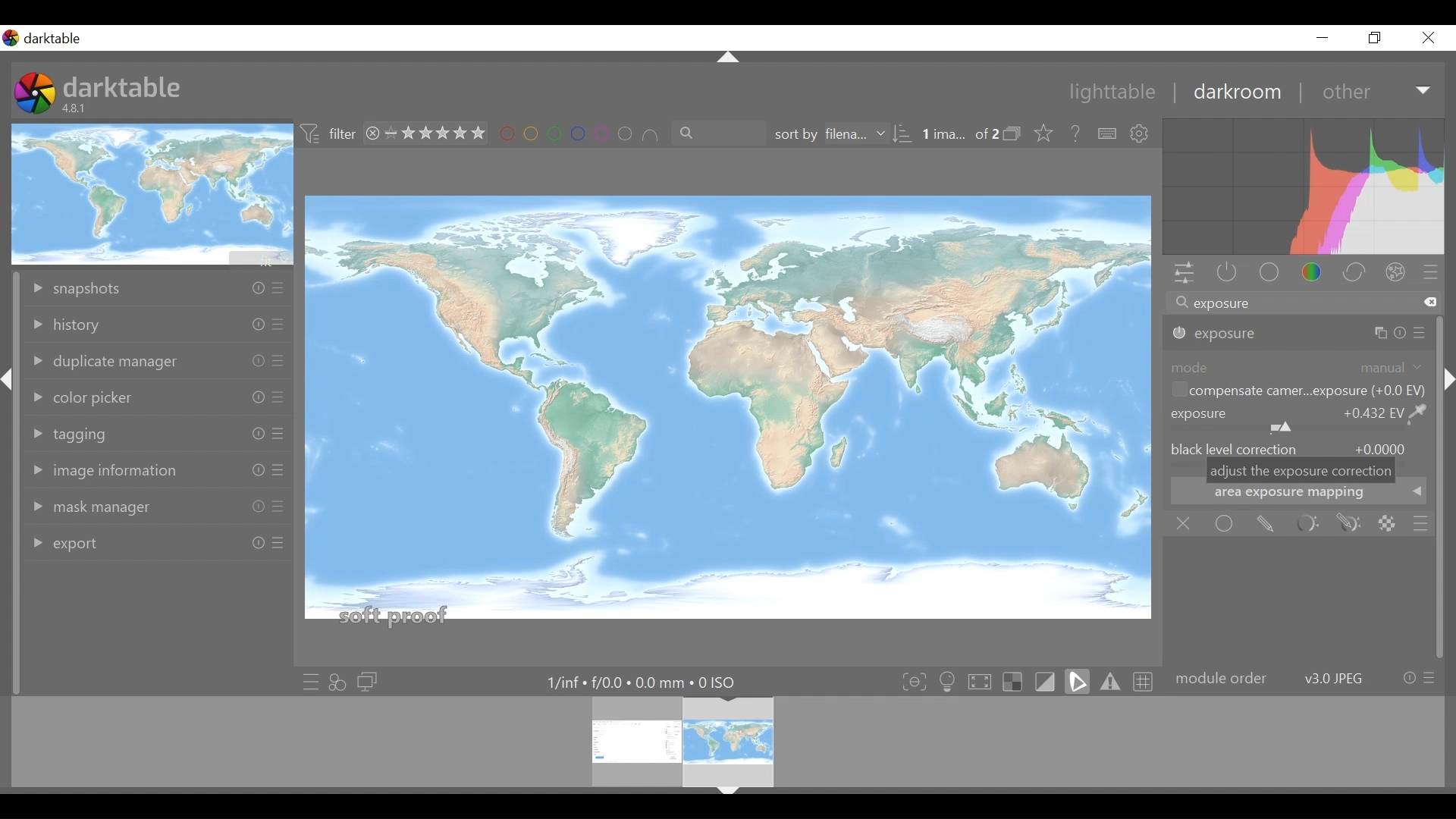 The width and height of the screenshot is (1456, 819). Describe the element at coordinates (276, 327) in the screenshot. I see `` at that location.